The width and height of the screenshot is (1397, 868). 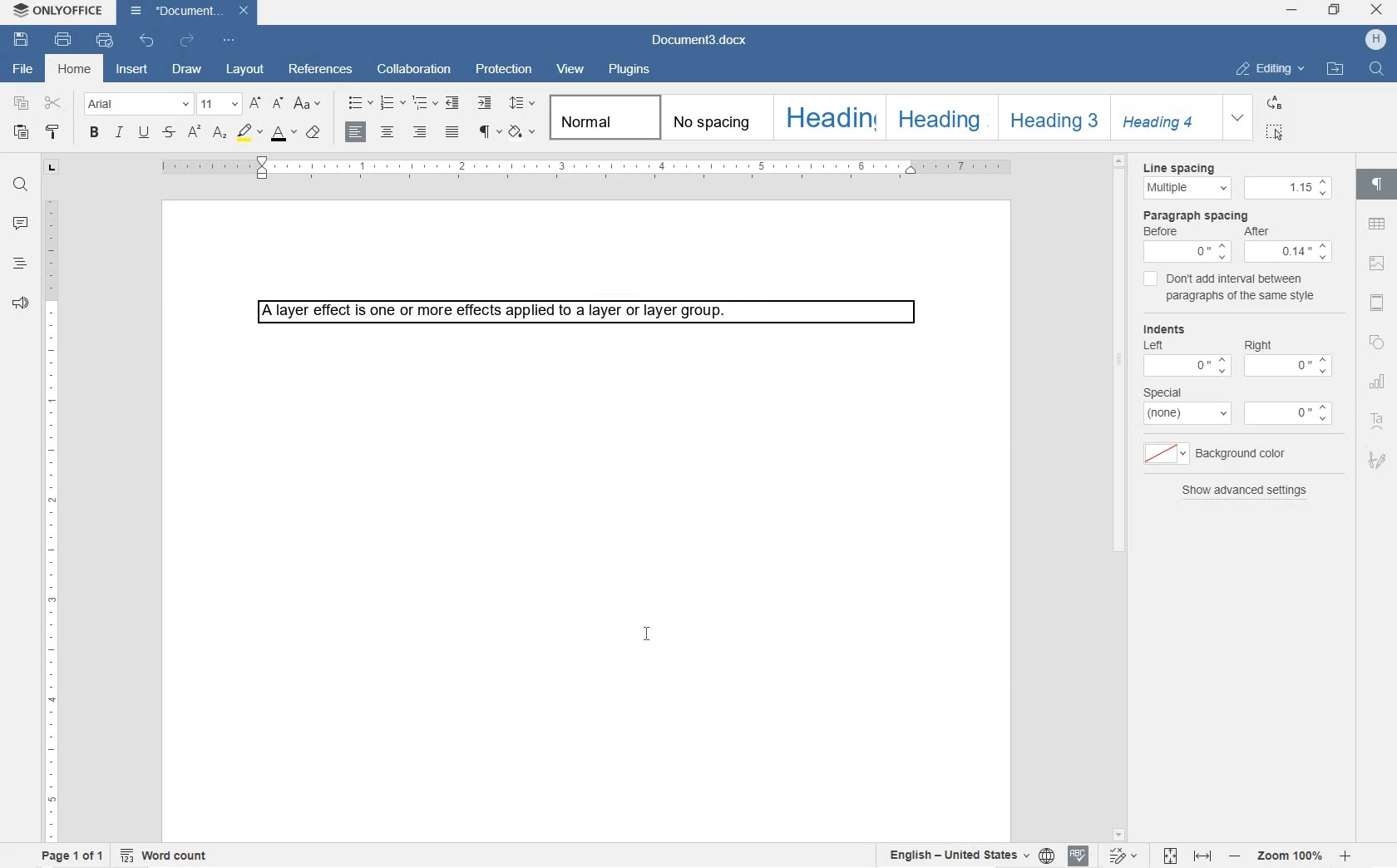 I want to click on SPELL CHECKING, so click(x=1079, y=856).